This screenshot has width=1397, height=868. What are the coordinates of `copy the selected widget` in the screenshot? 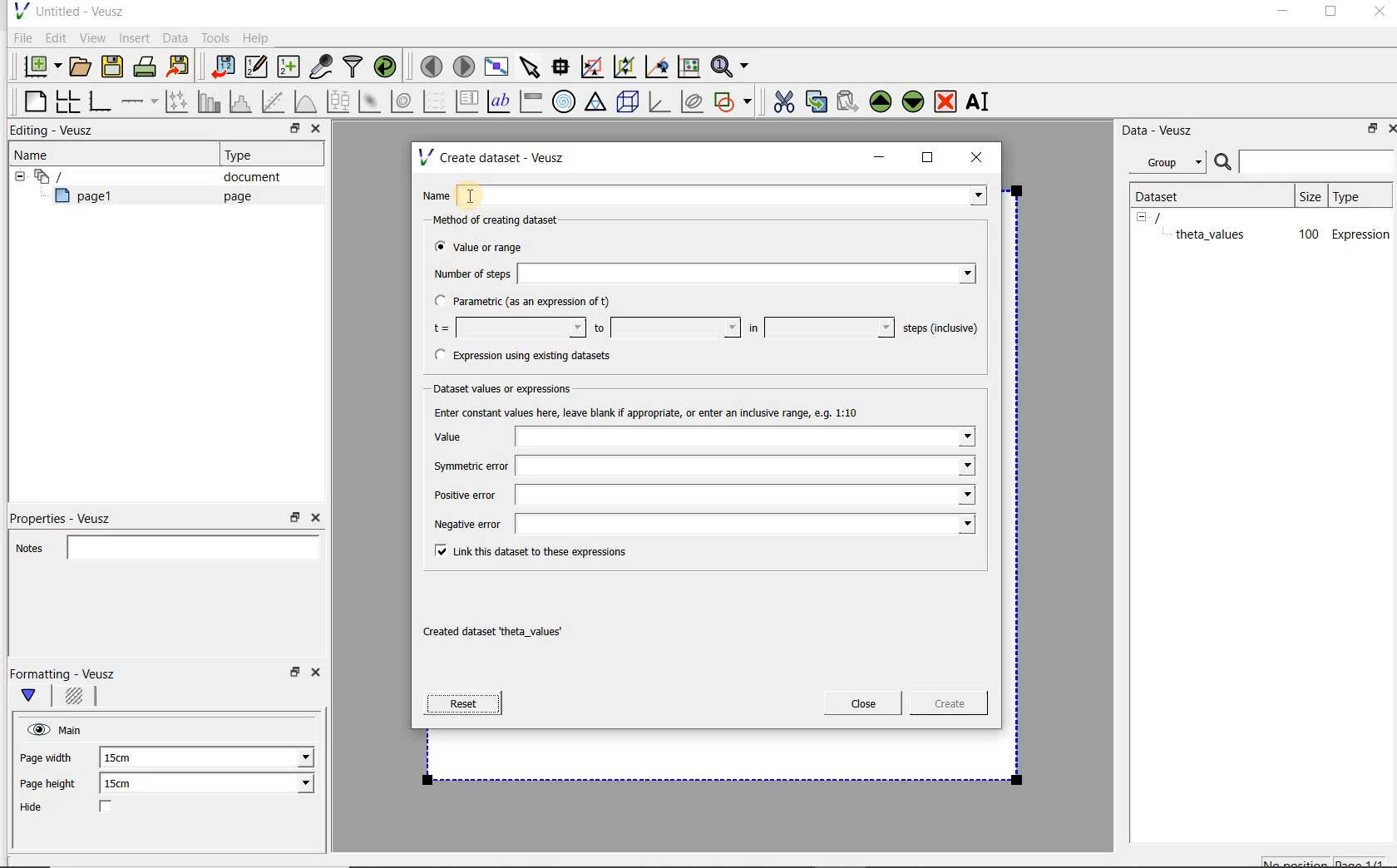 It's located at (817, 101).